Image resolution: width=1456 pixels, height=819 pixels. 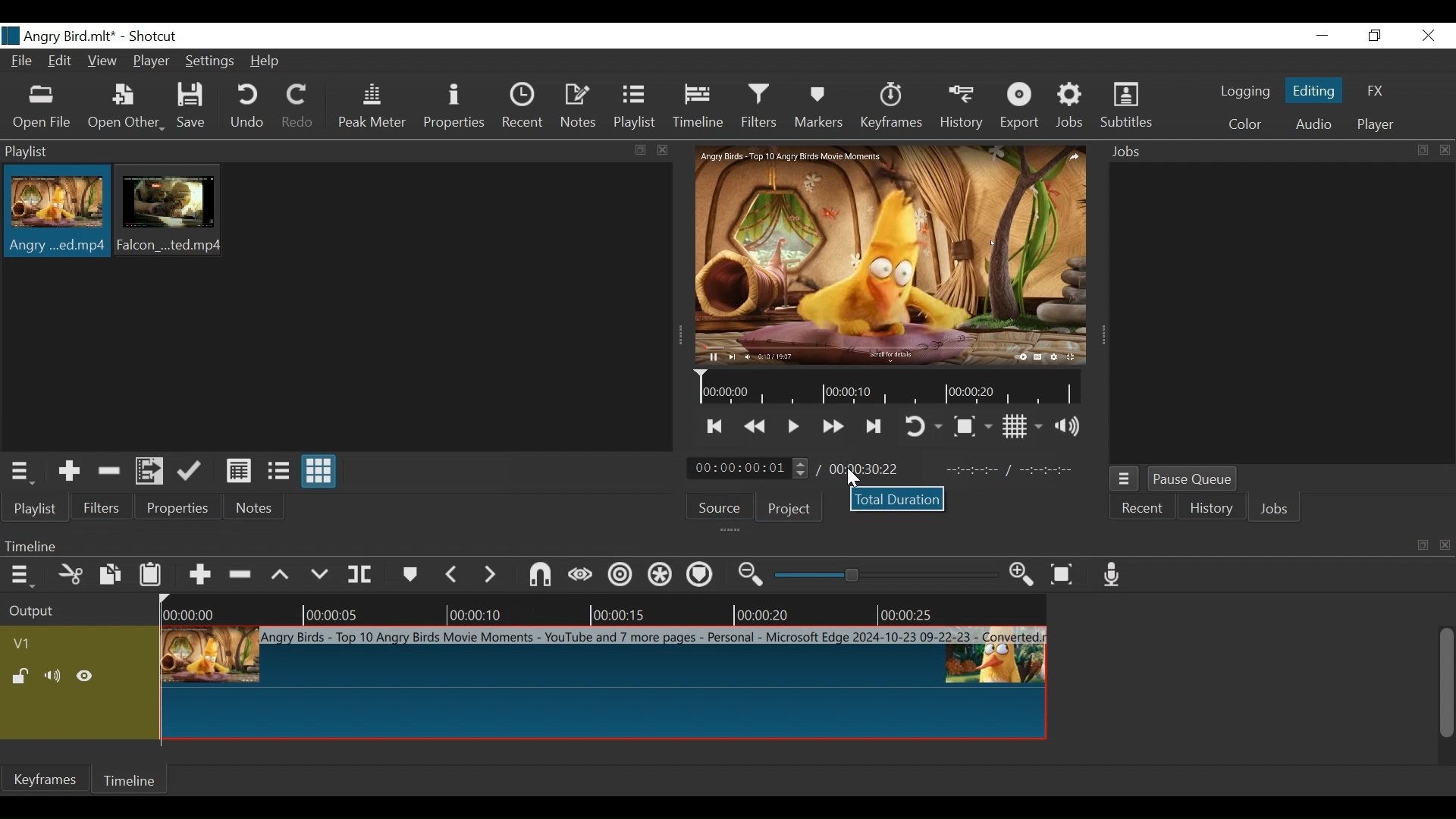 I want to click on Play backward Quickly, so click(x=758, y=425).